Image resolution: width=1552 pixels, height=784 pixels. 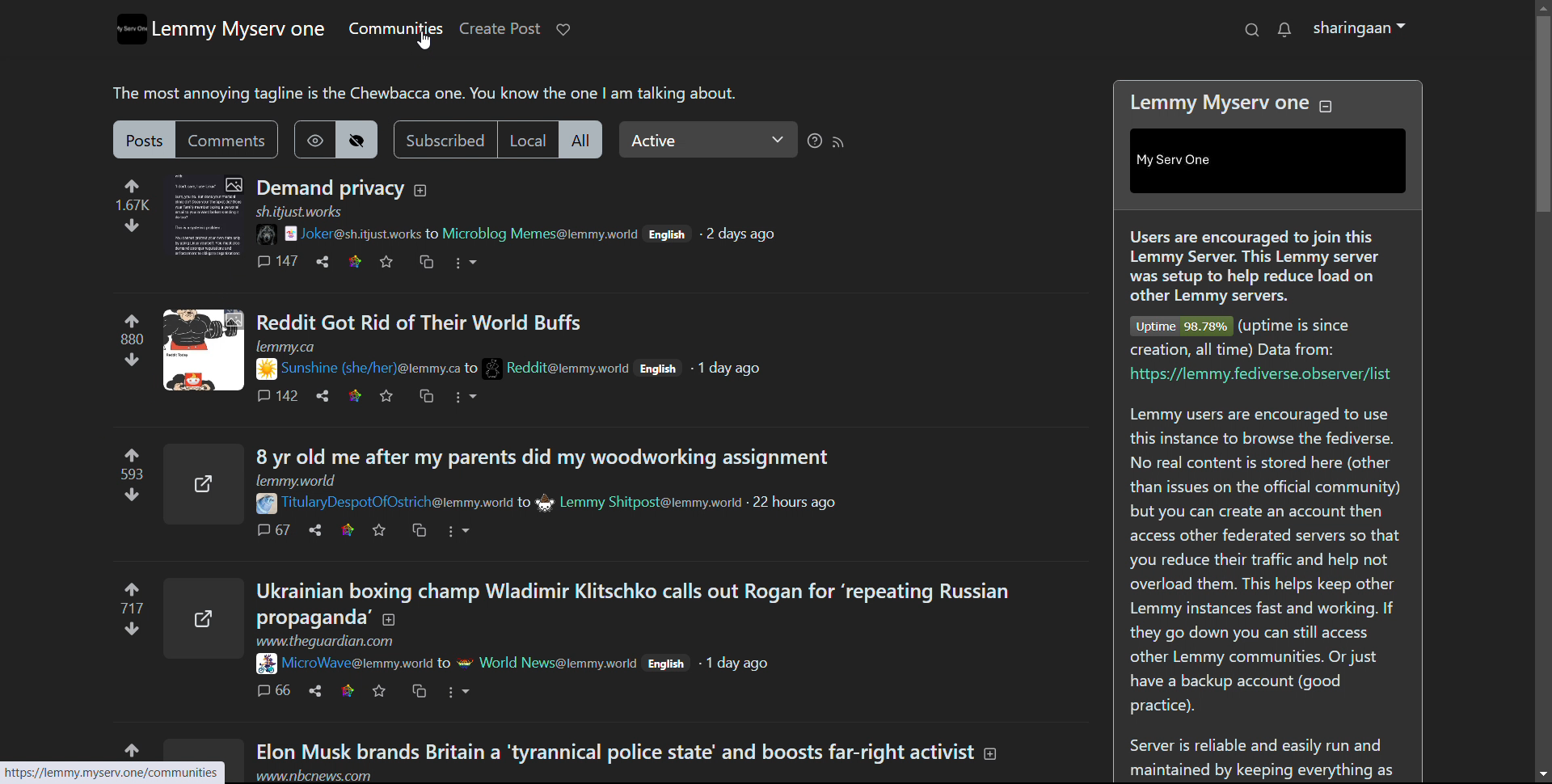 I want to click on profile, so click(x=1360, y=29).